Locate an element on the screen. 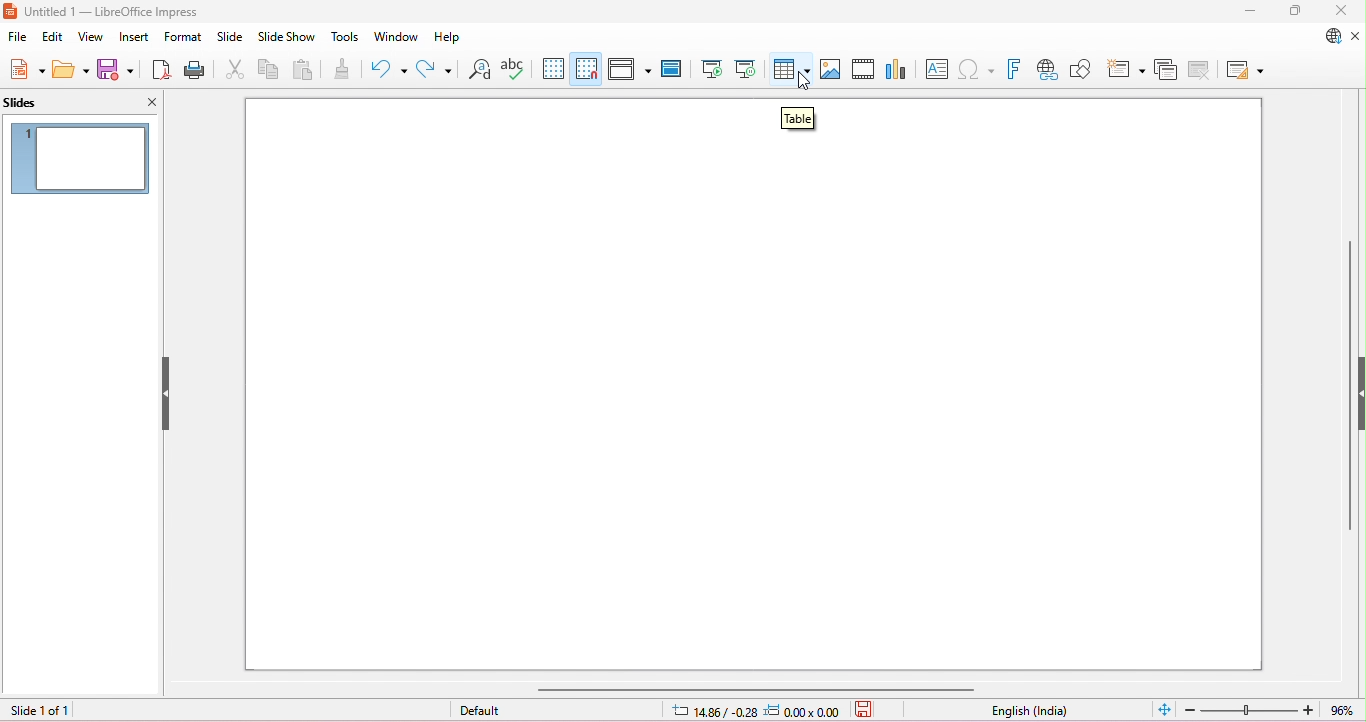  slide 1 of 1 is located at coordinates (40, 711).